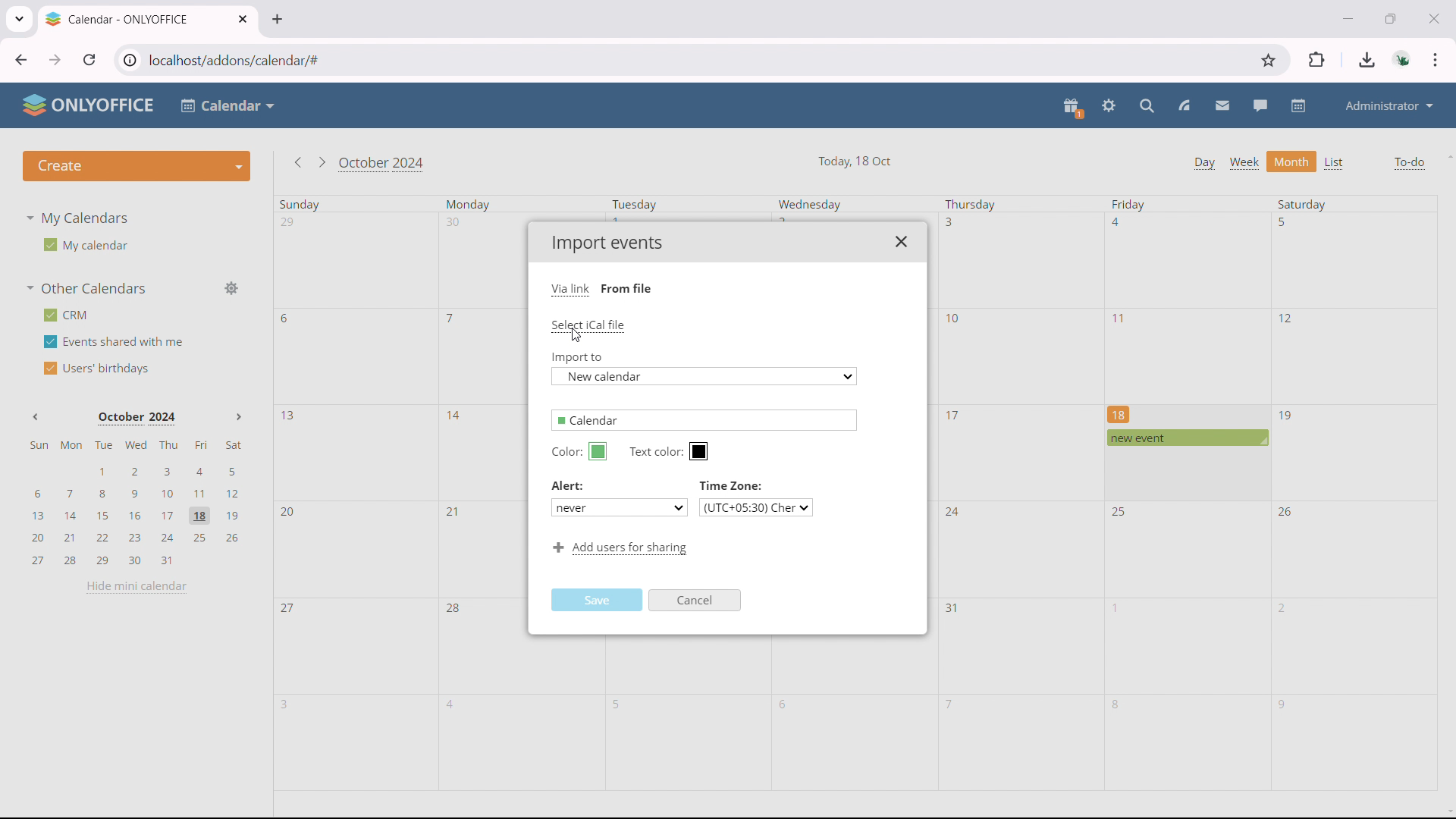 Image resolution: width=1456 pixels, height=819 pixels. Describe the element at coordinates (756, 507) in the screenshot. I see `(UTC+05:30) Cher` at that location.